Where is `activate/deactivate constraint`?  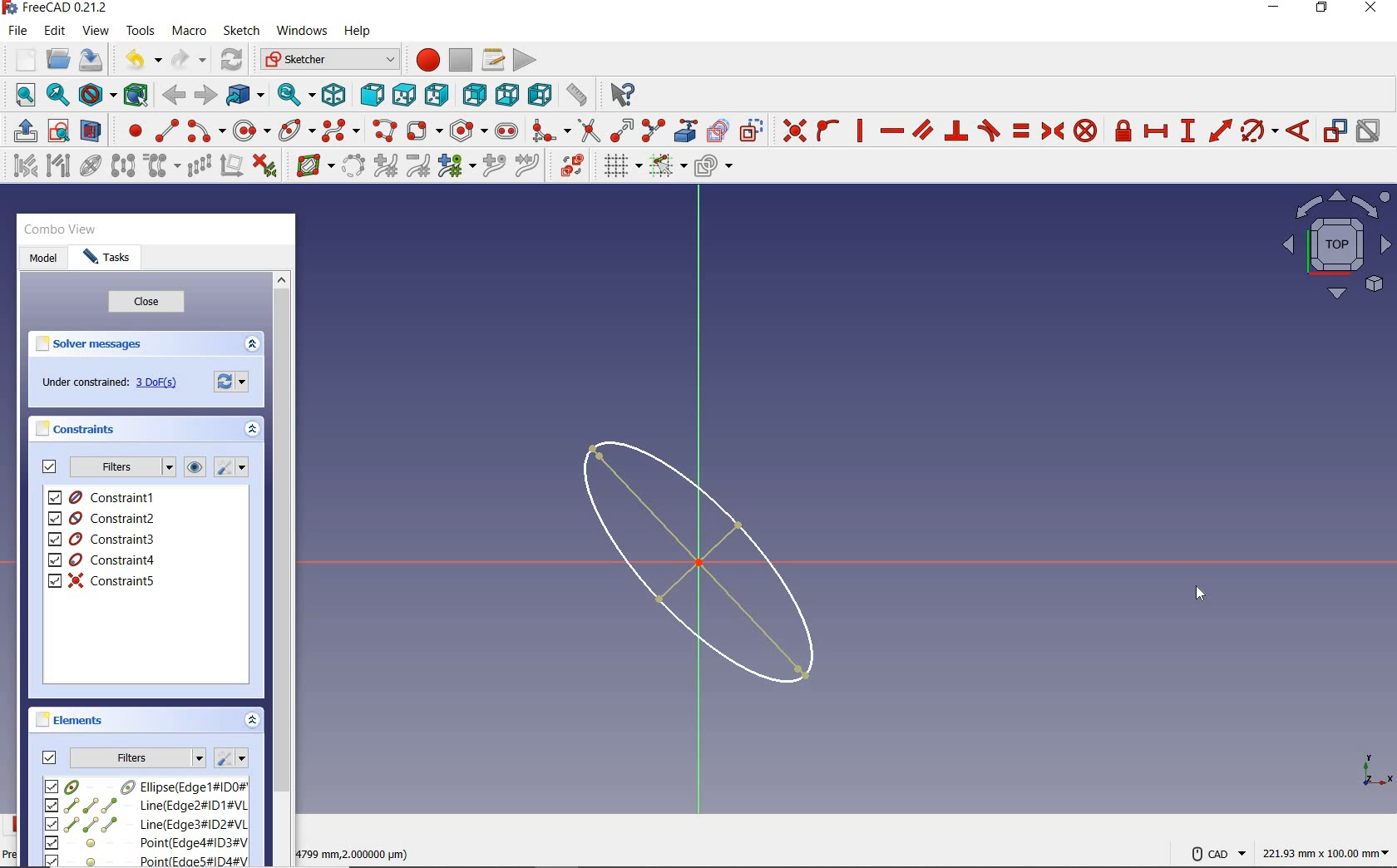 activate/deactivate constraint is located at coordinates (1369, 131).